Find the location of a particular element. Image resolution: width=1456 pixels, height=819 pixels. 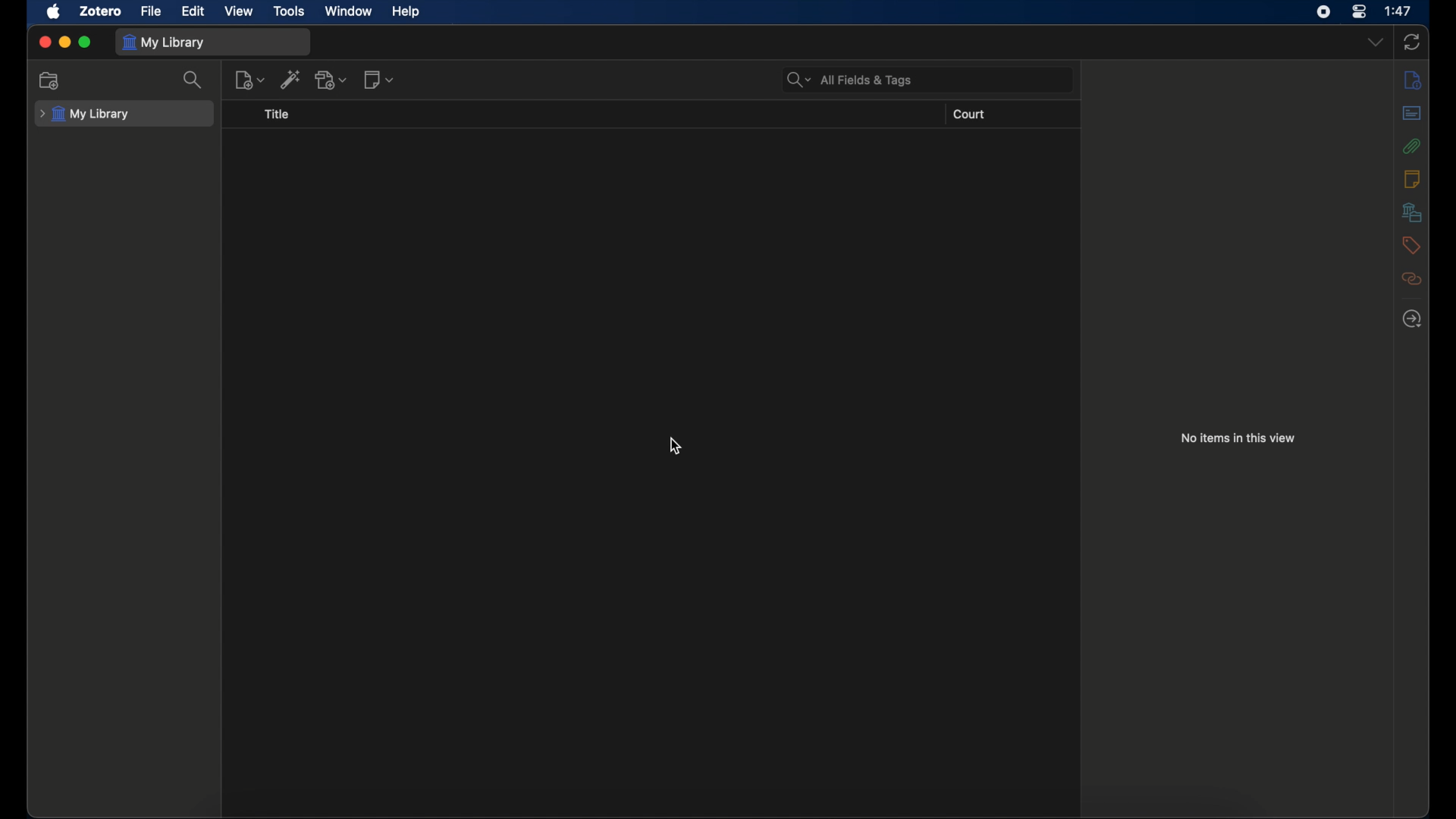

minimize is located at coordinates (65, 41).